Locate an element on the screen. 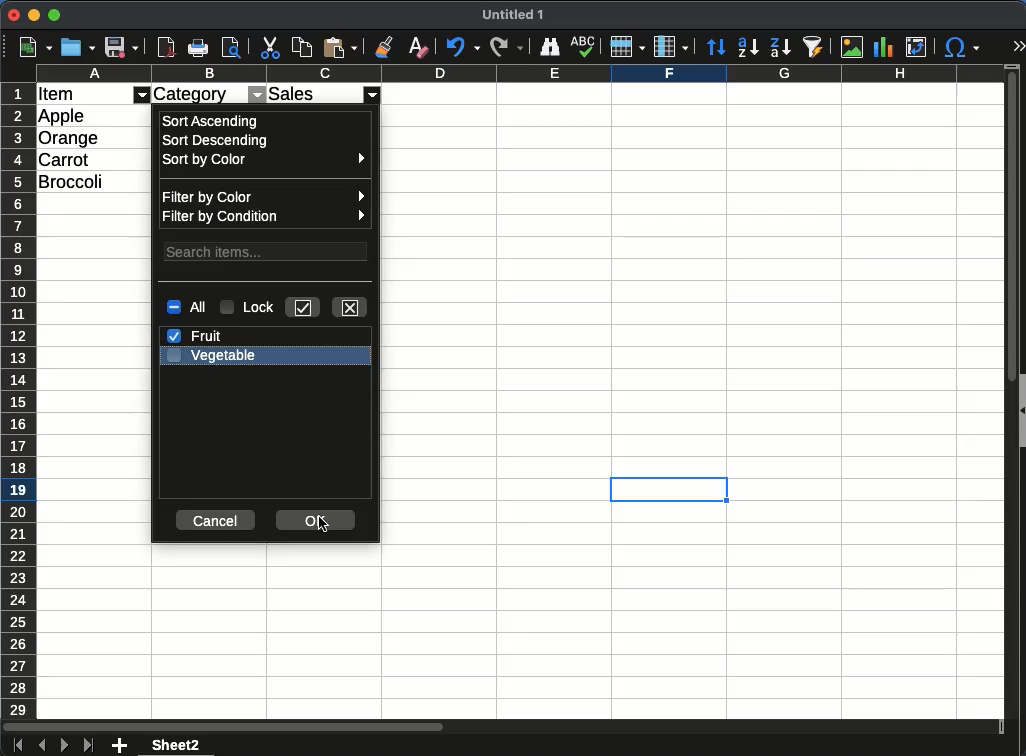 The image size is (1026, 756). autofilter is located at coordinates (815, 48).